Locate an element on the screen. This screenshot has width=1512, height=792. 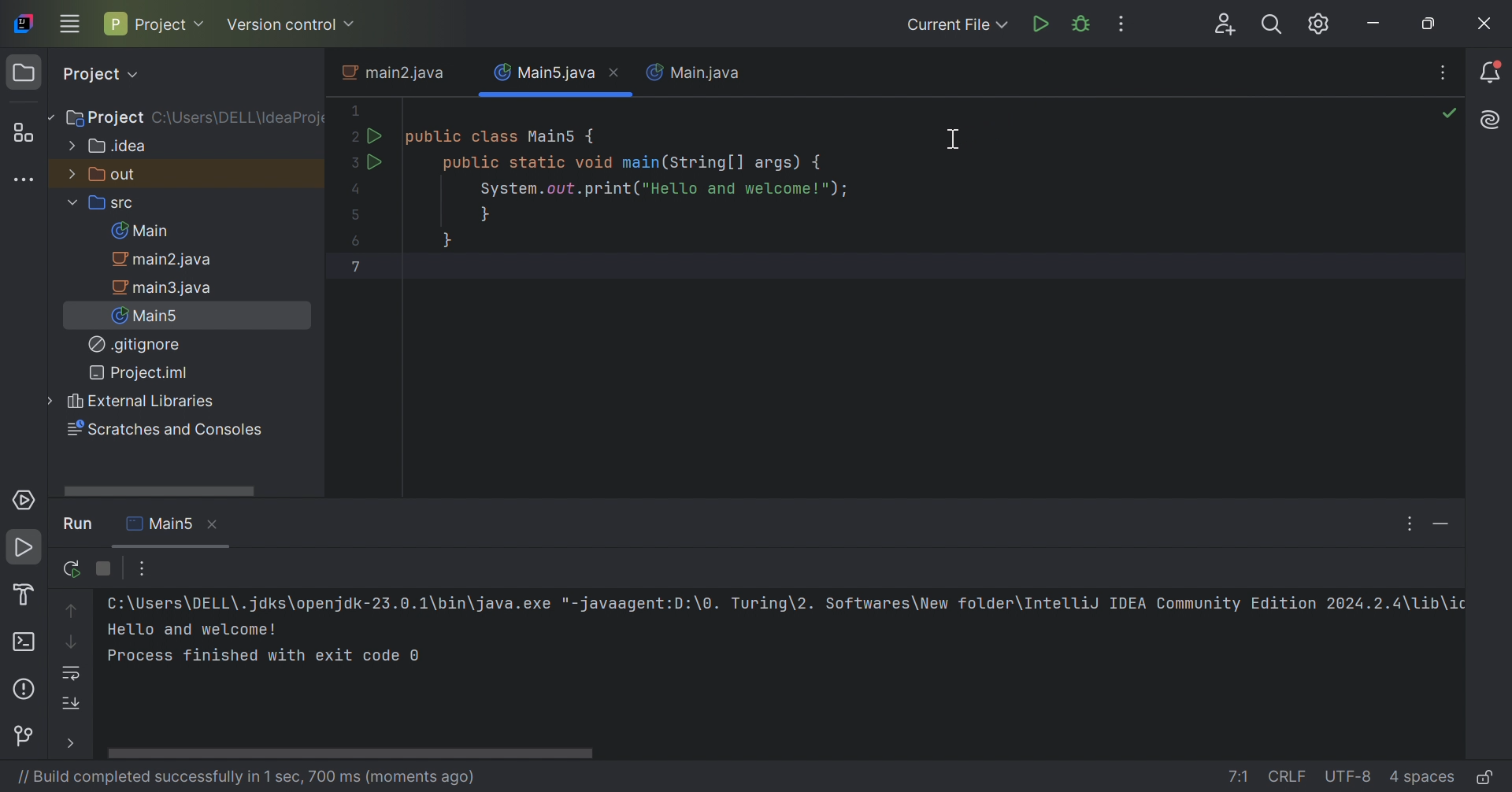
Updates available is located at coordinates (1319, 24).